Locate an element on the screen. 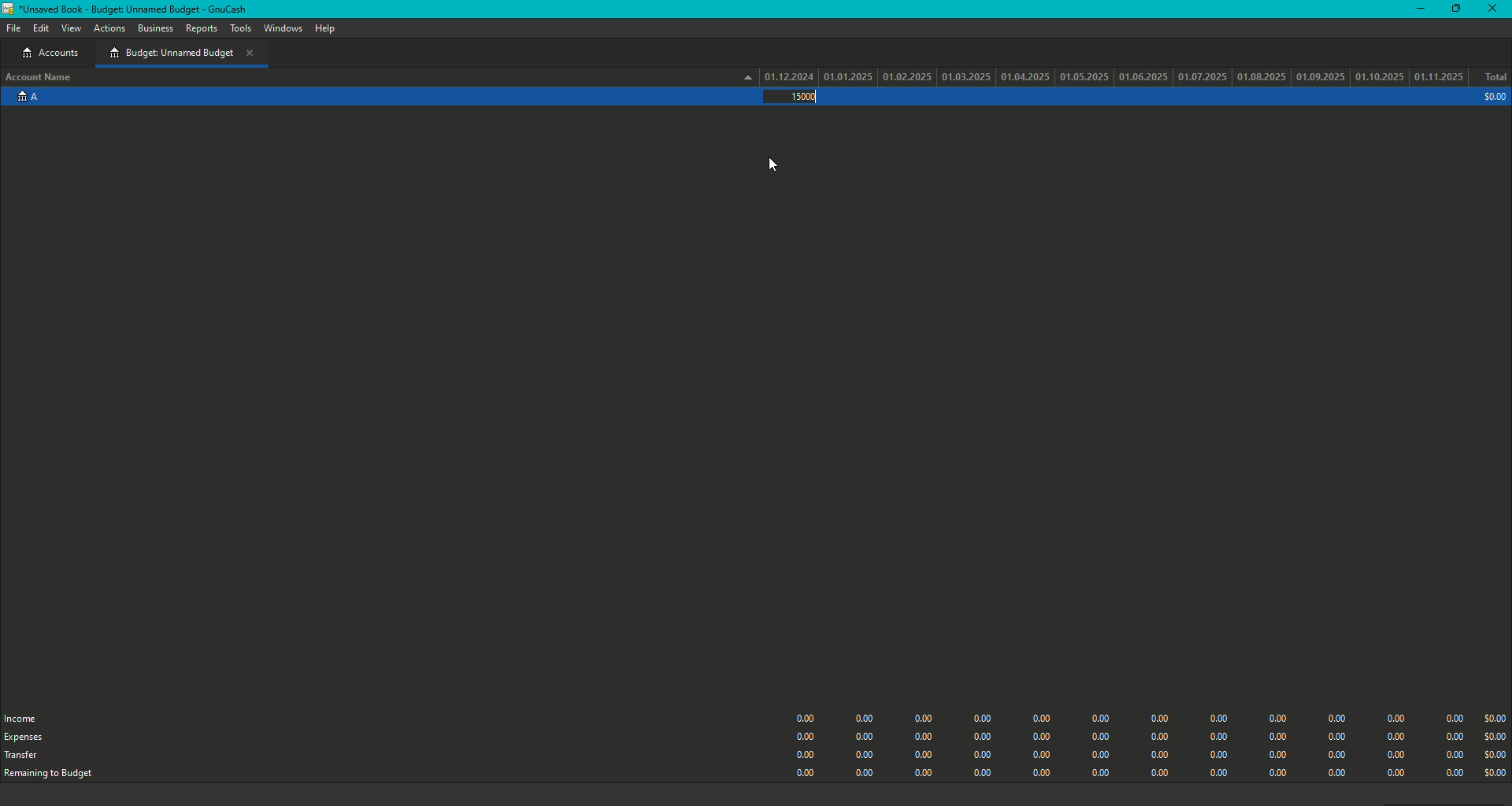 This screenshot has width=1512, height=806. Unnamed Budget is located at coordinates (181, 53).